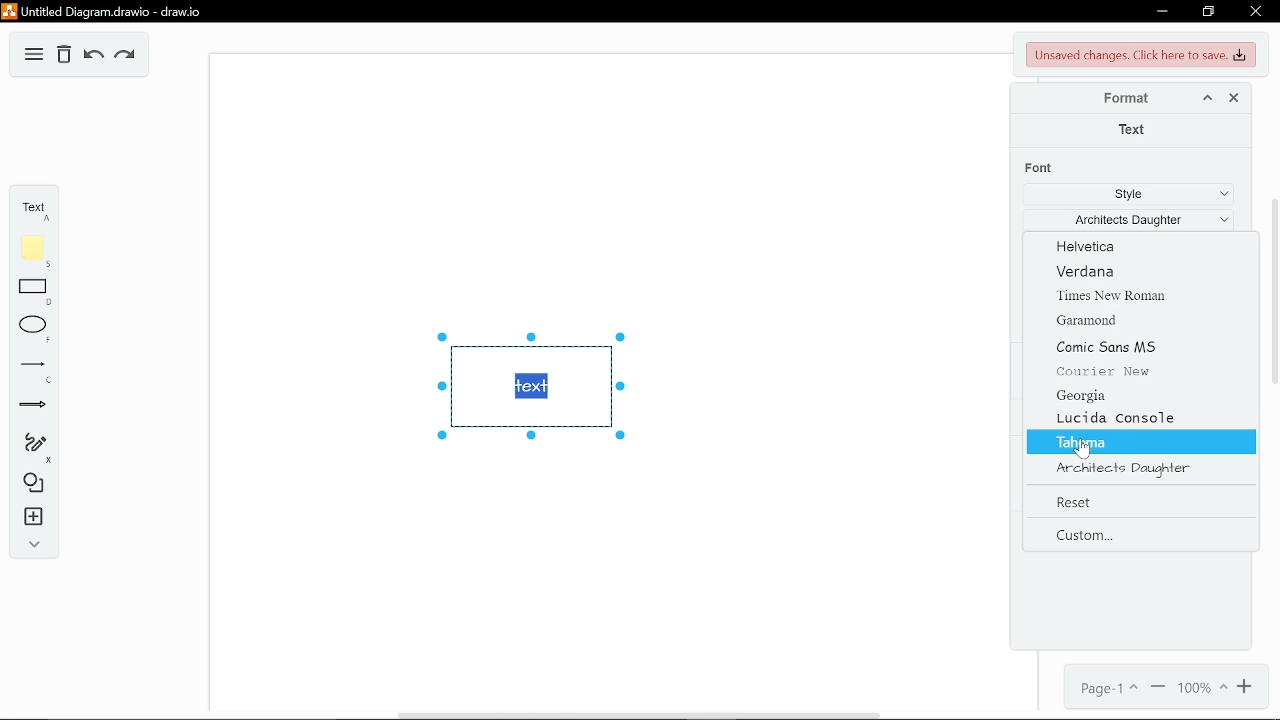 This screenshot has width=1280, height=720. I want to click on redo, so click(127, 56).